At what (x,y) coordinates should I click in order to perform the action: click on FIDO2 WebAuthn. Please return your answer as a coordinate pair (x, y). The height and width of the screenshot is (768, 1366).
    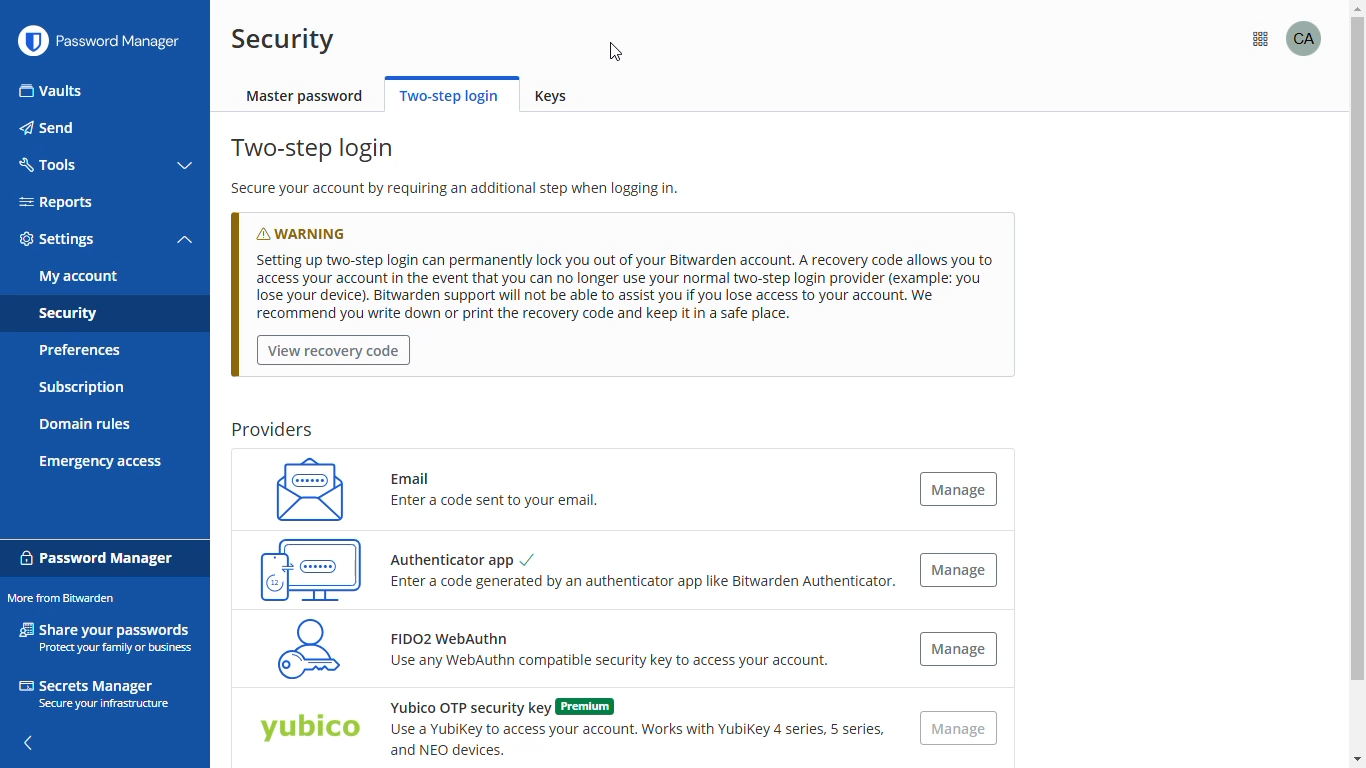
    Looking at the image, I should click on (302, 648).